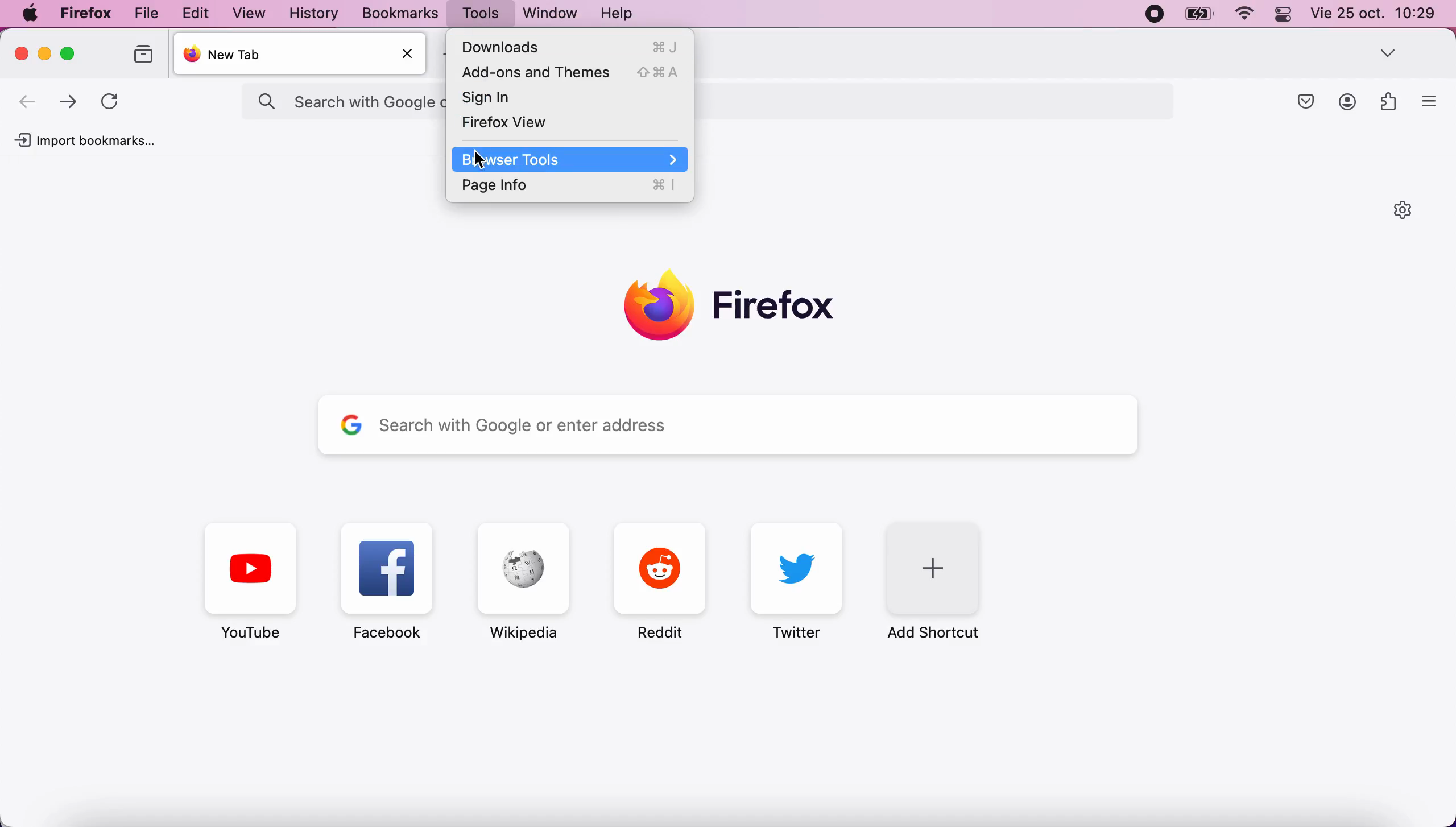 This screenshot has width=1456, height=827. Describe the element at coordinates (146, 54) in the screenshot. I see `Folders` at that location.